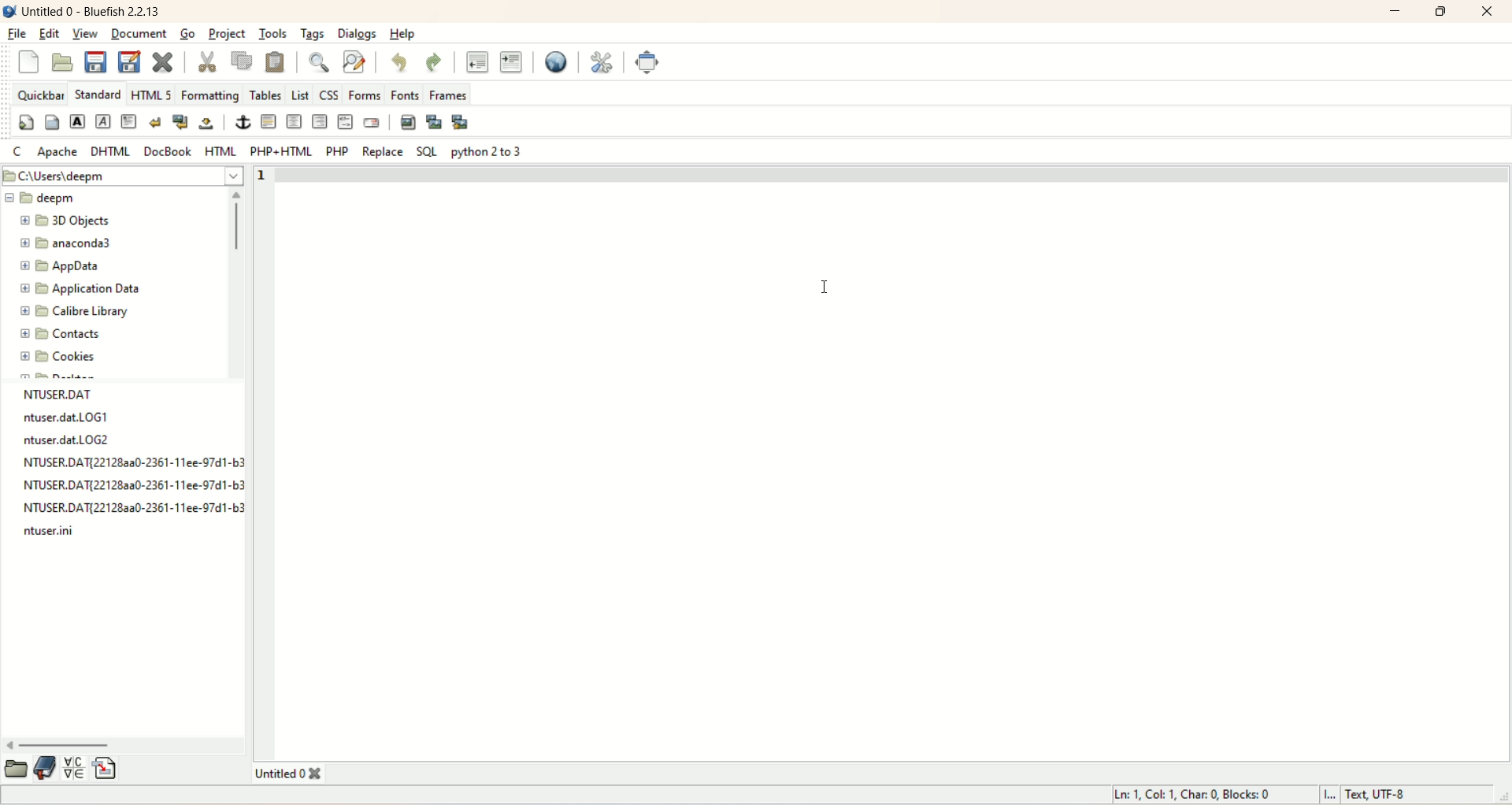 The width and height of the screenshot is (1512, 805). Describe the element at coordinates (61, 535) in the screenshot. I see `file` at that location.